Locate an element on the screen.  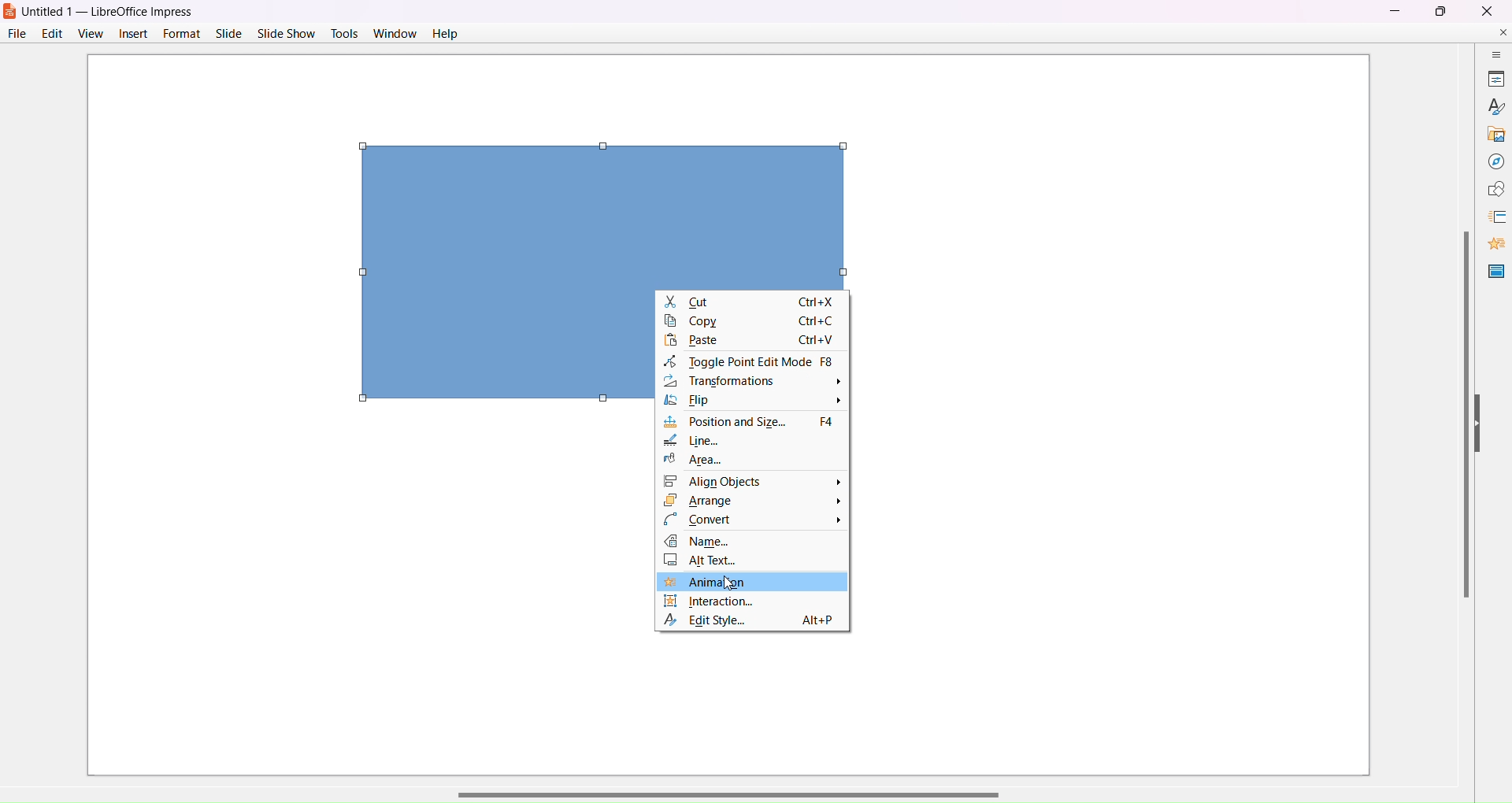
View is located at coordinates (90, 33).